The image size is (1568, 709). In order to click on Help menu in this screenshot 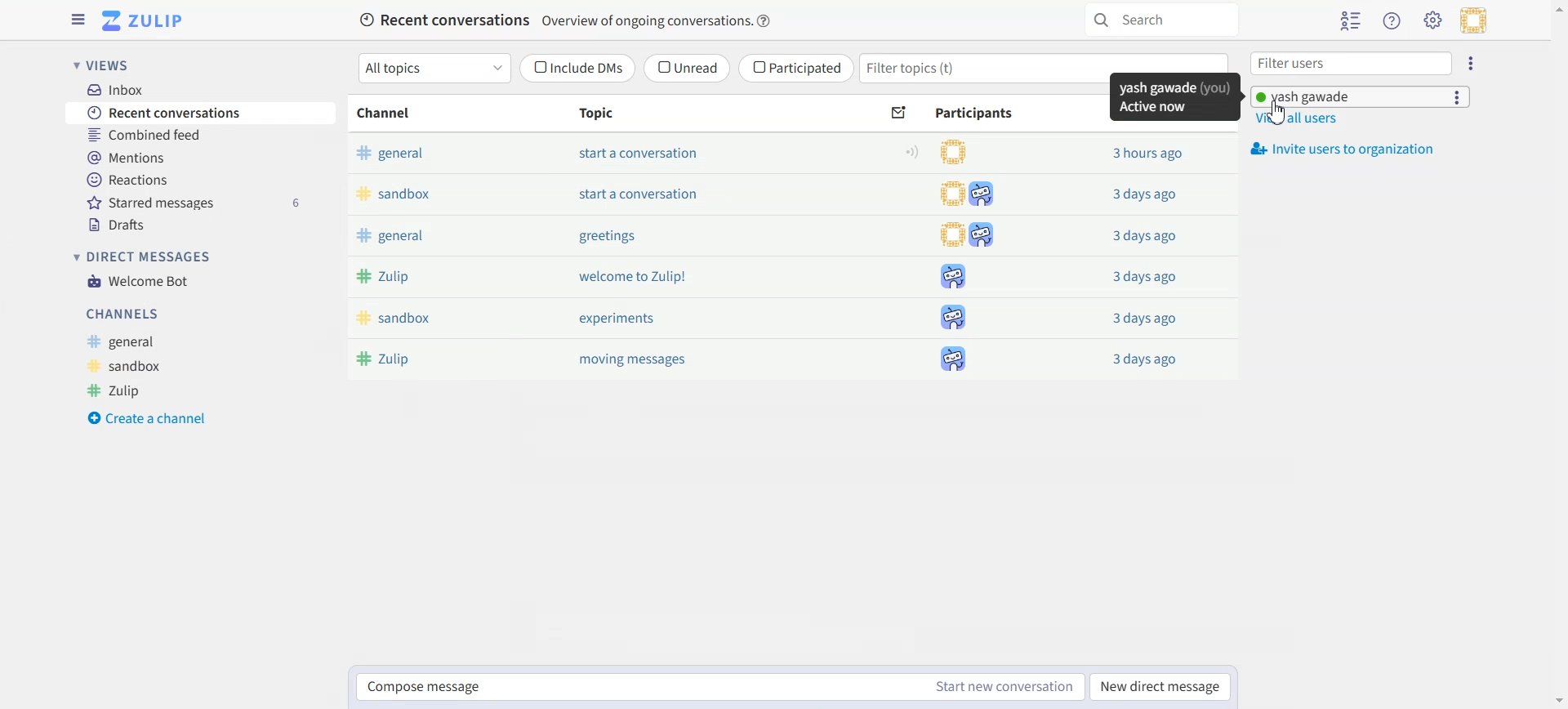, I will do `click(1391, 20)`.